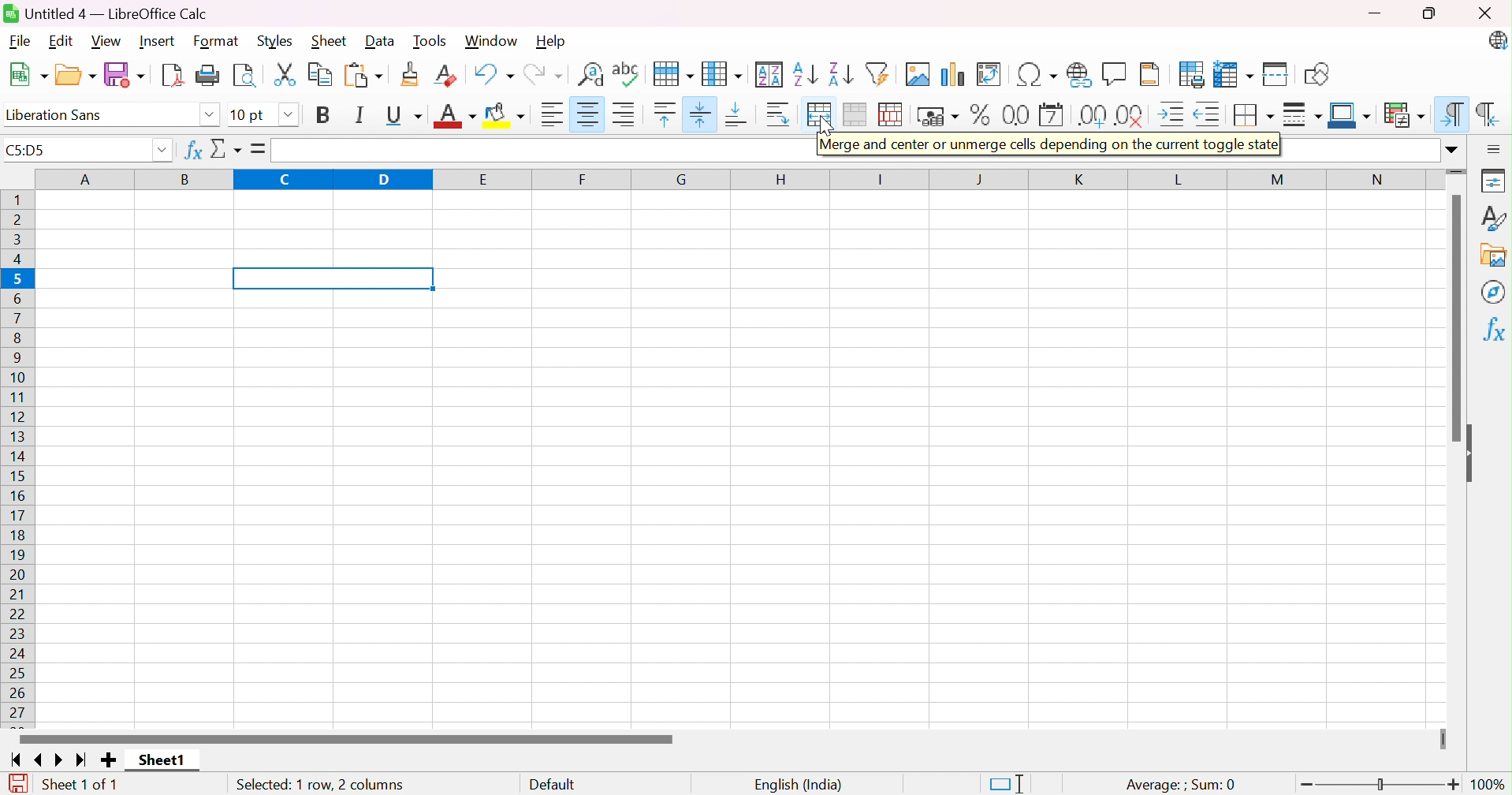 Image resolution: width=1512 pixels, height=795 pixels. I want to click on Drop Down, so click(162, 151).